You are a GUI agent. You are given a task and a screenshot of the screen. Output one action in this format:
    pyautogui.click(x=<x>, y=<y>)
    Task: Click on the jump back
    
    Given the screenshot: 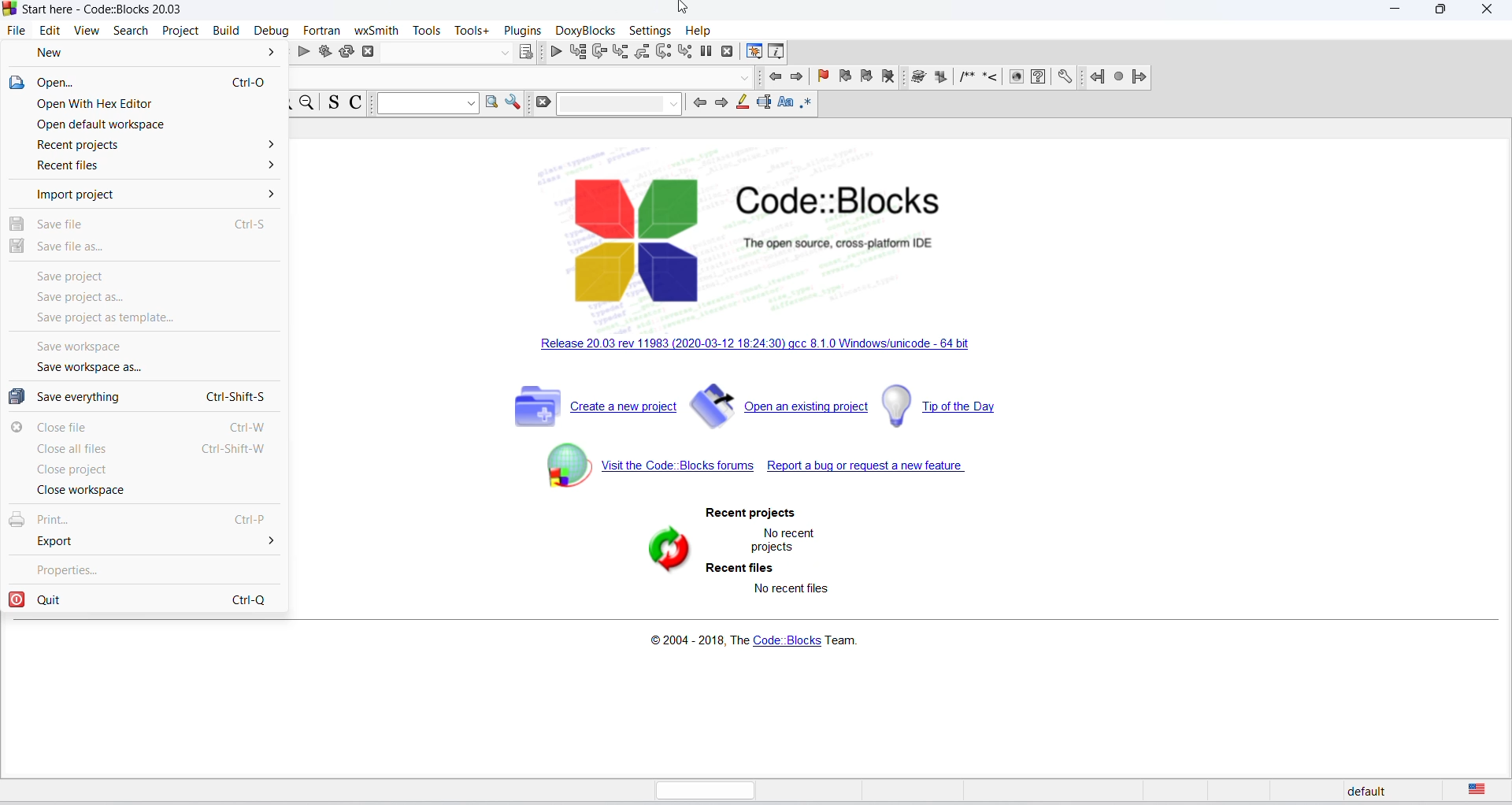 What is the action you would take?
    pyautogui.click(x=1099, y=78)
    